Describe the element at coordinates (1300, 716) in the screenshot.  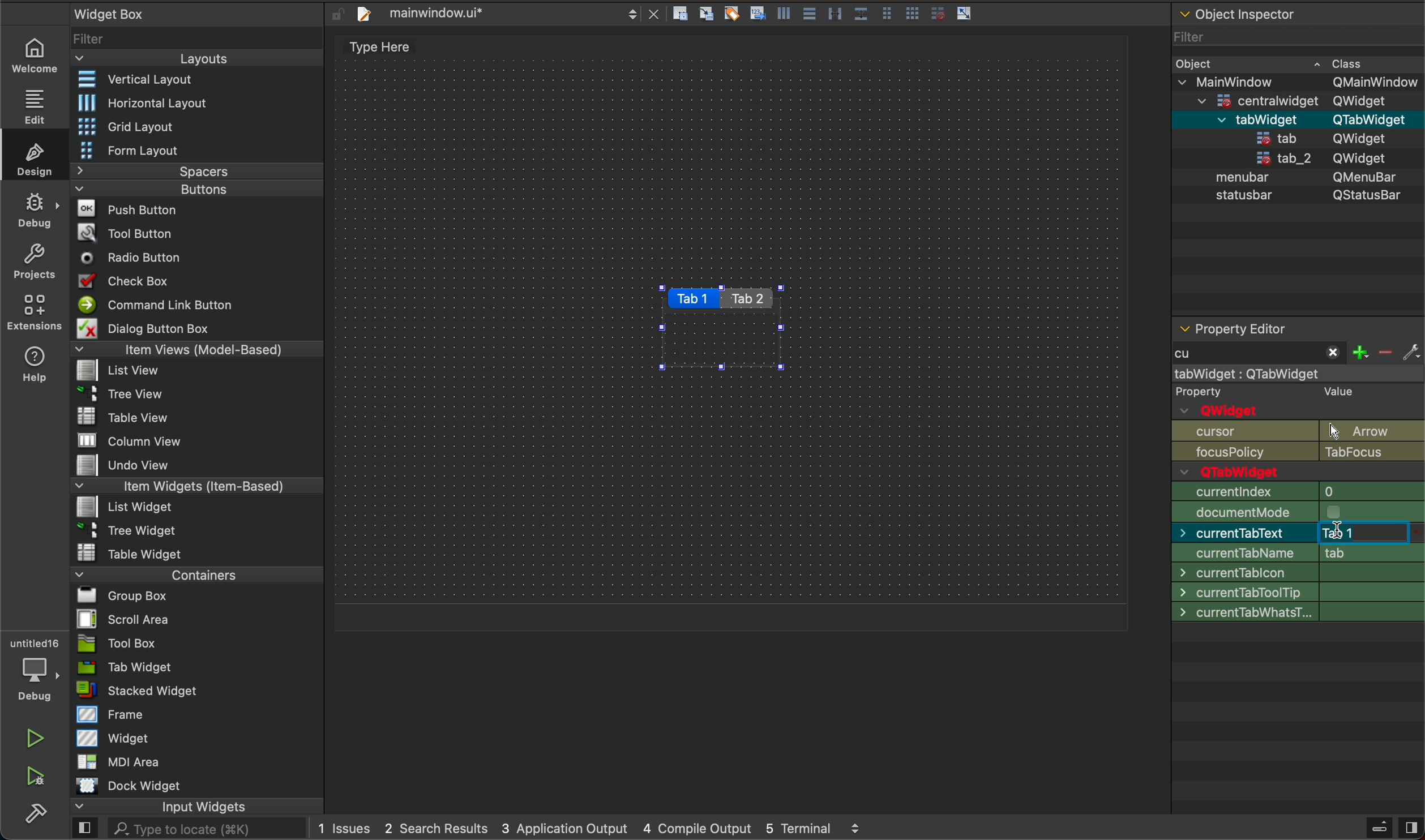
I see `focus` at that location.